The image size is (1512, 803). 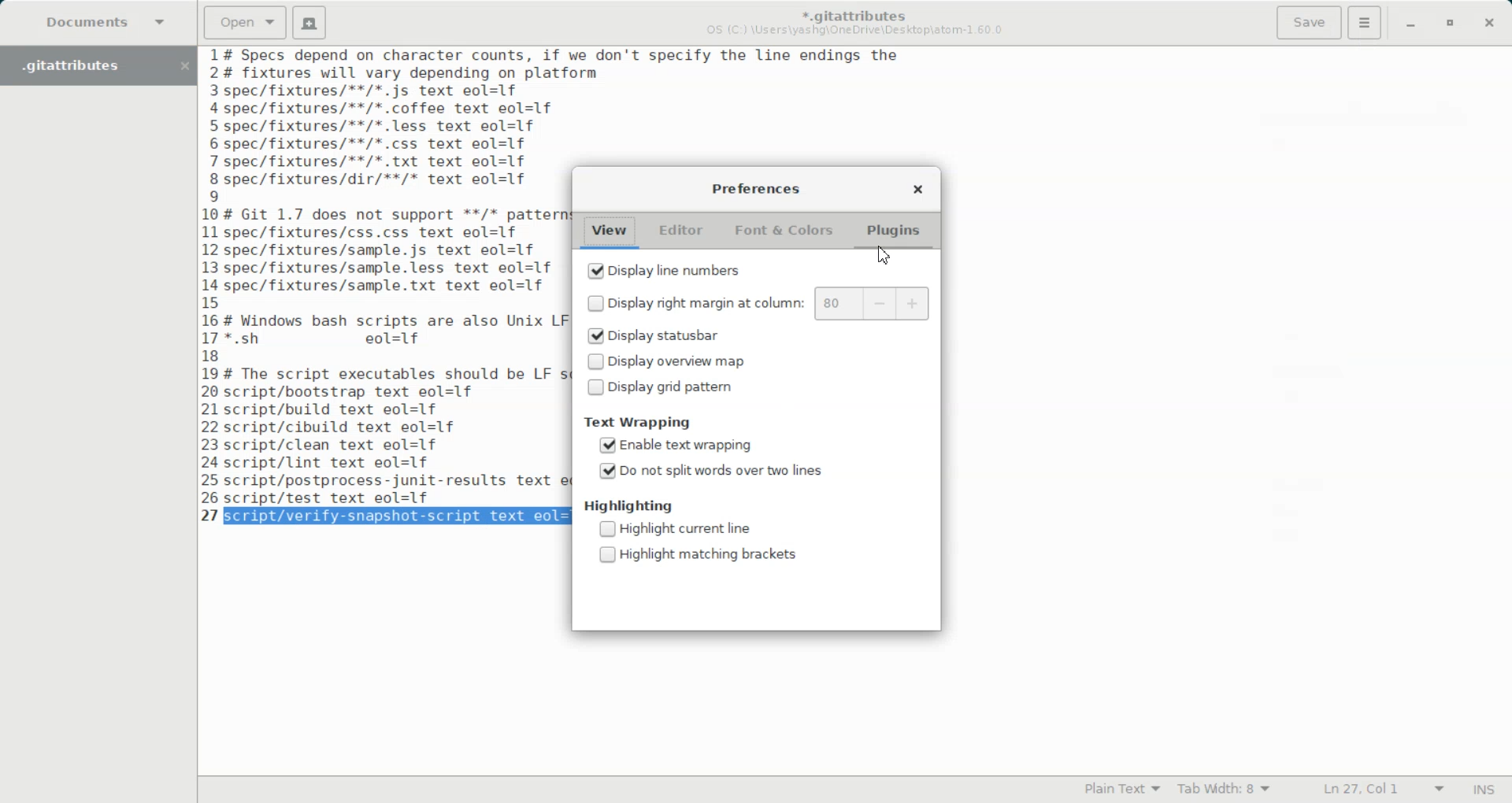 I want to click on Plugins, so click(x=892, y=228).